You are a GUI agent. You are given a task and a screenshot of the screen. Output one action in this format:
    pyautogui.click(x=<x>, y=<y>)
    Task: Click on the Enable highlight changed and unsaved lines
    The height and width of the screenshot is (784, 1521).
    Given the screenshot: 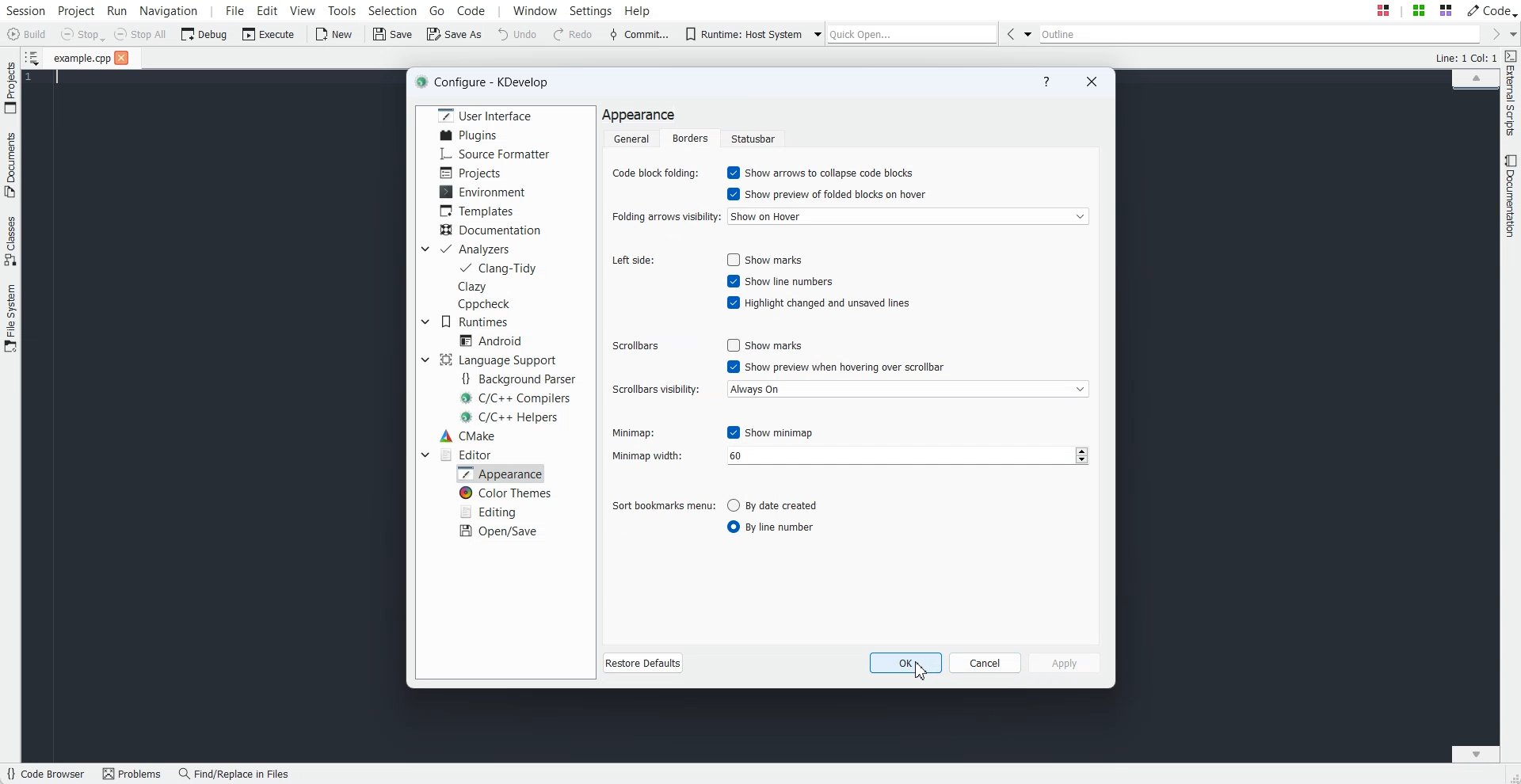 What is the action you would take?
    pyautogui.click(x=818, y=302)
    